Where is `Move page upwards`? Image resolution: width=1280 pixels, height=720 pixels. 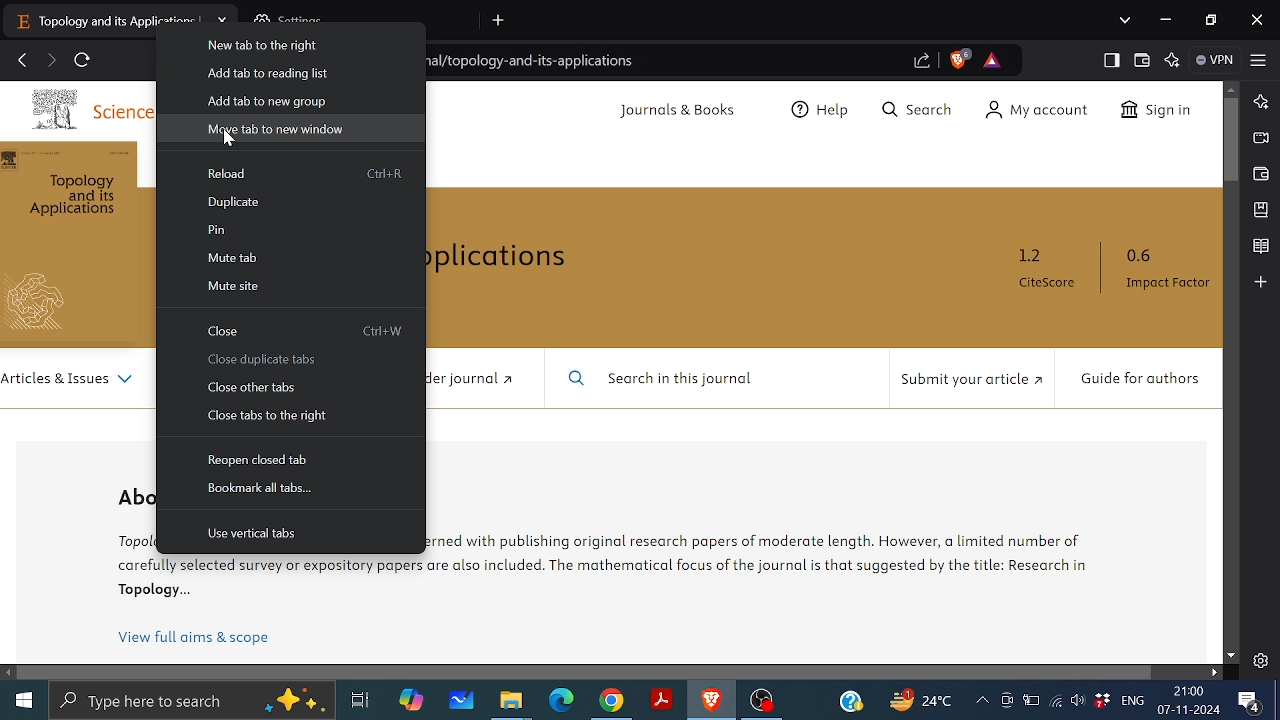
Move page upwards is located at coordinates (1231, 90).